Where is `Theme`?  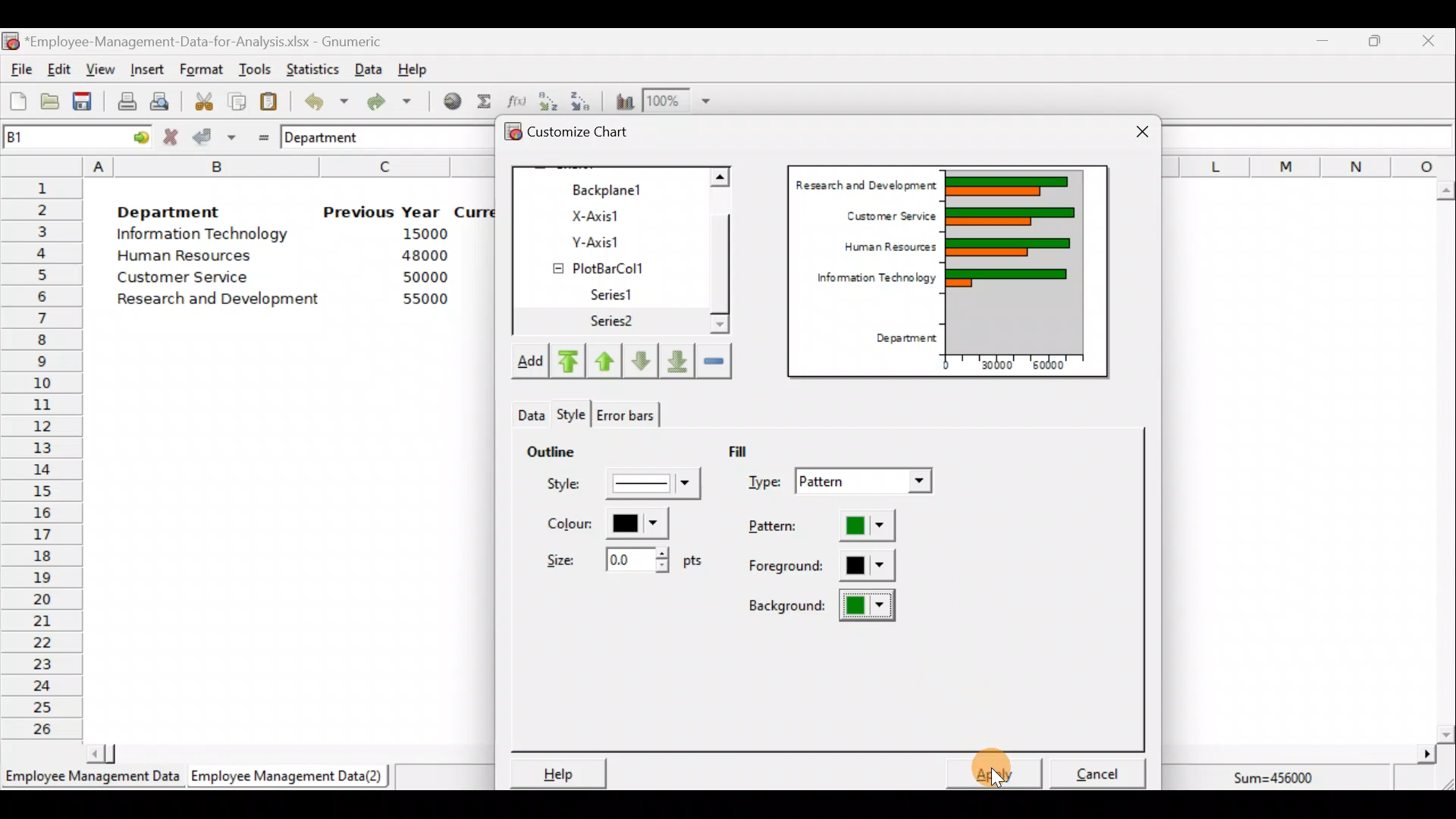
Theme is located at coordinates (576, 415).